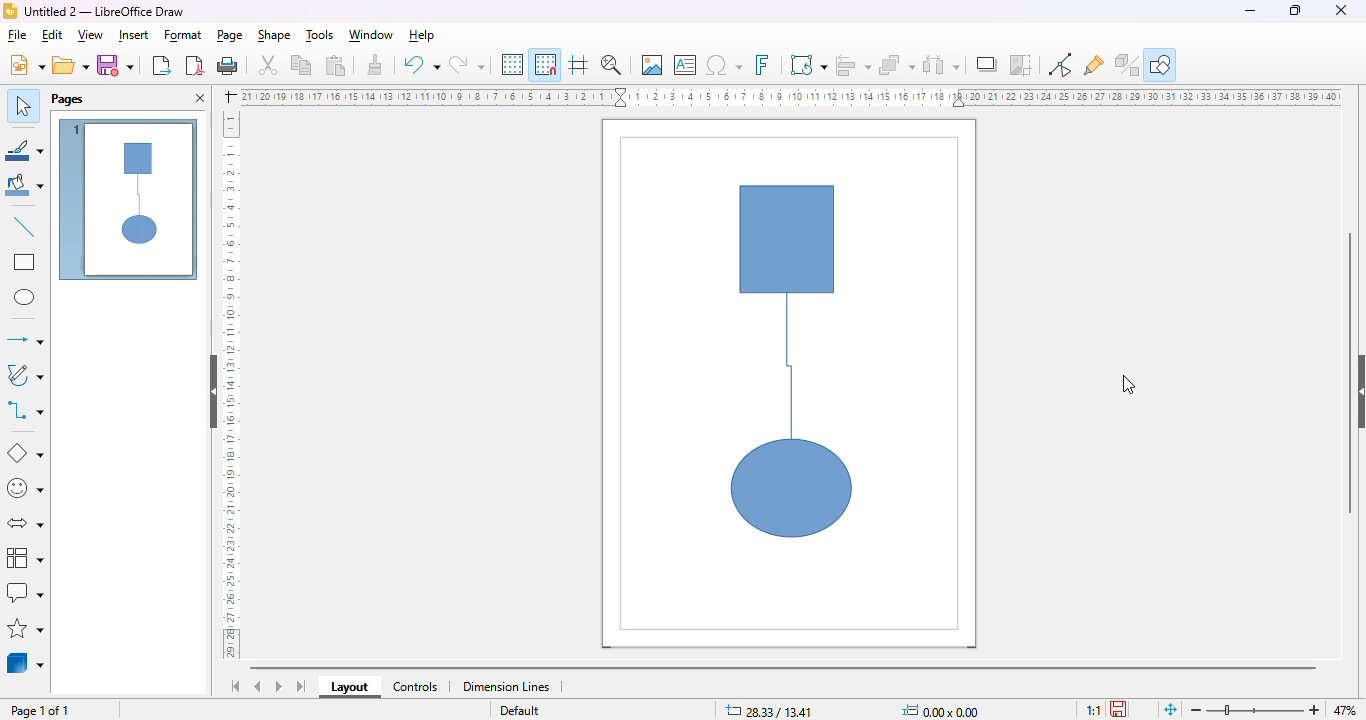 The height and width of the screenshot is (720, 1366). Describe the element at coordinates (941, 711) in the screenshot. I see `0.00 x 0.00` at that location.